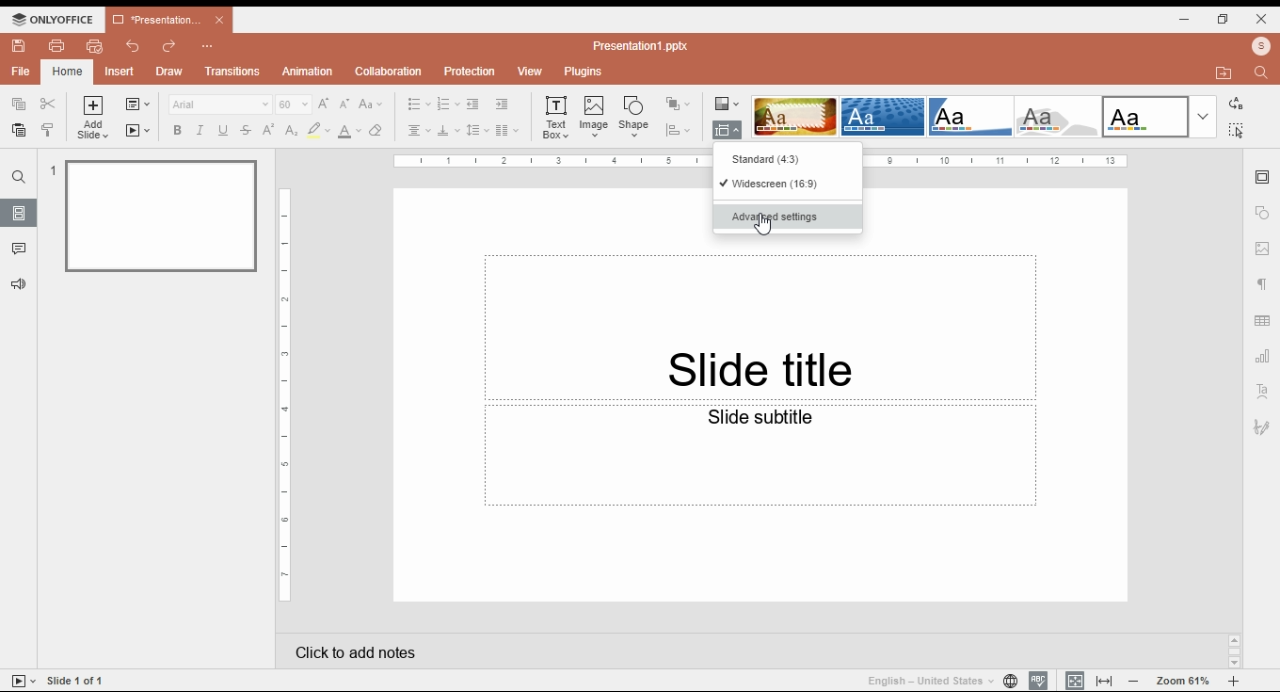 The height and width of the screenshot is (692, 1280). Describe the element at coordinates (17, 102) in the screenshot. I see `copy` at that location.